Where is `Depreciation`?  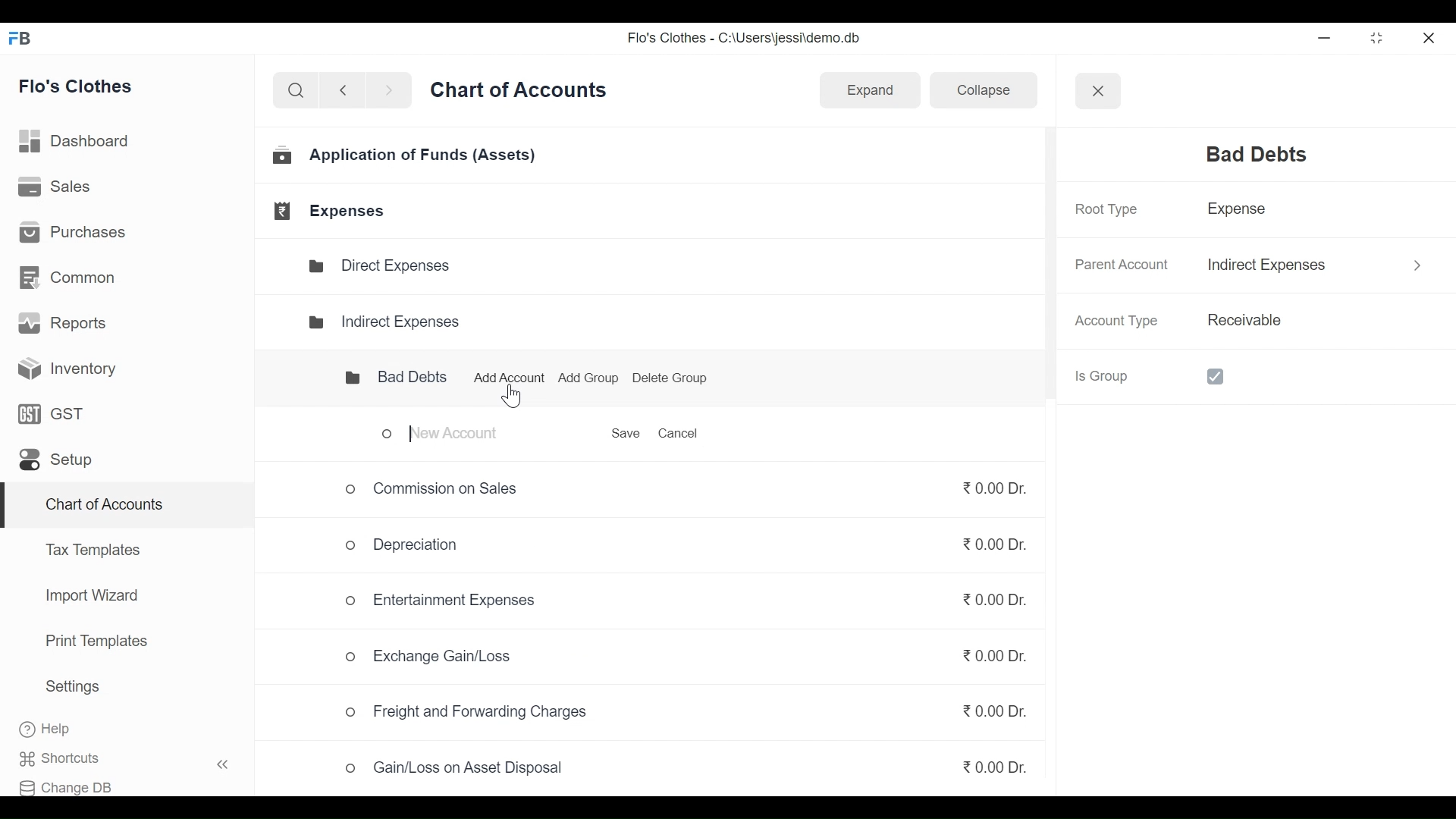 Depreciation is located at coordinates (395, 544).